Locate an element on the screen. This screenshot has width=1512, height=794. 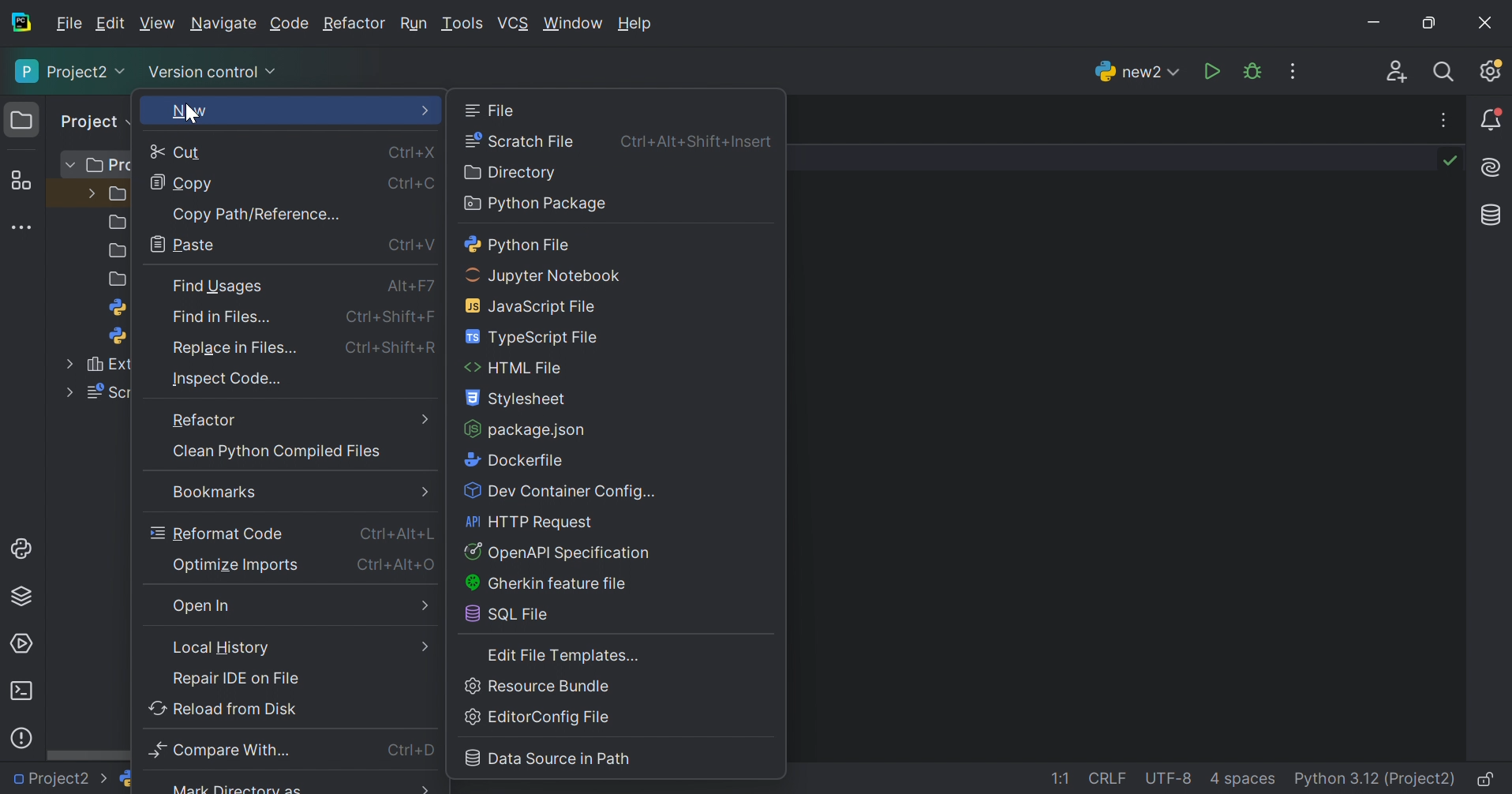
View is located at coordinates (157, 23).